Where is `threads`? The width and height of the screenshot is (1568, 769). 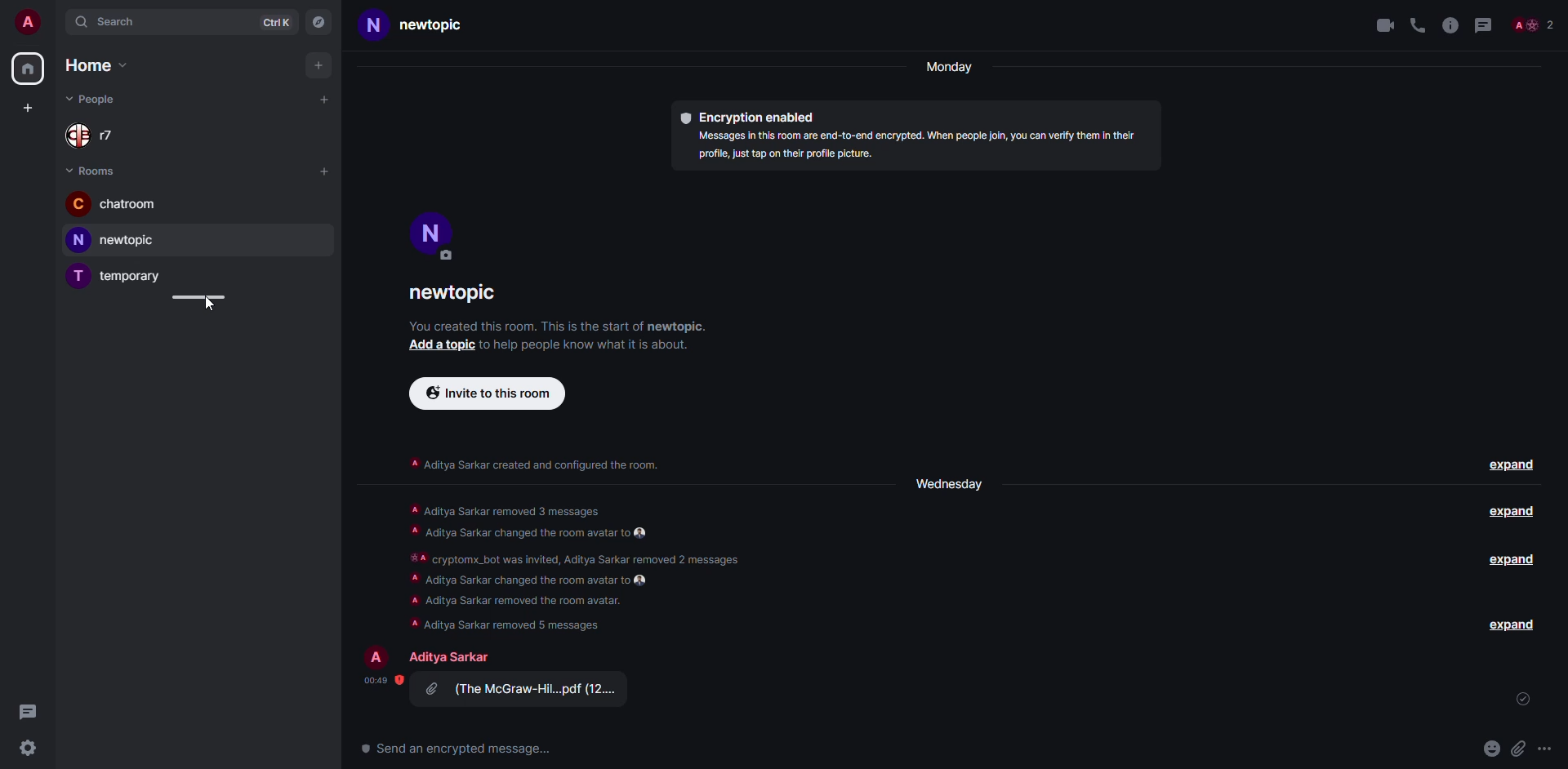
threads is located at coordinates (25, 709).